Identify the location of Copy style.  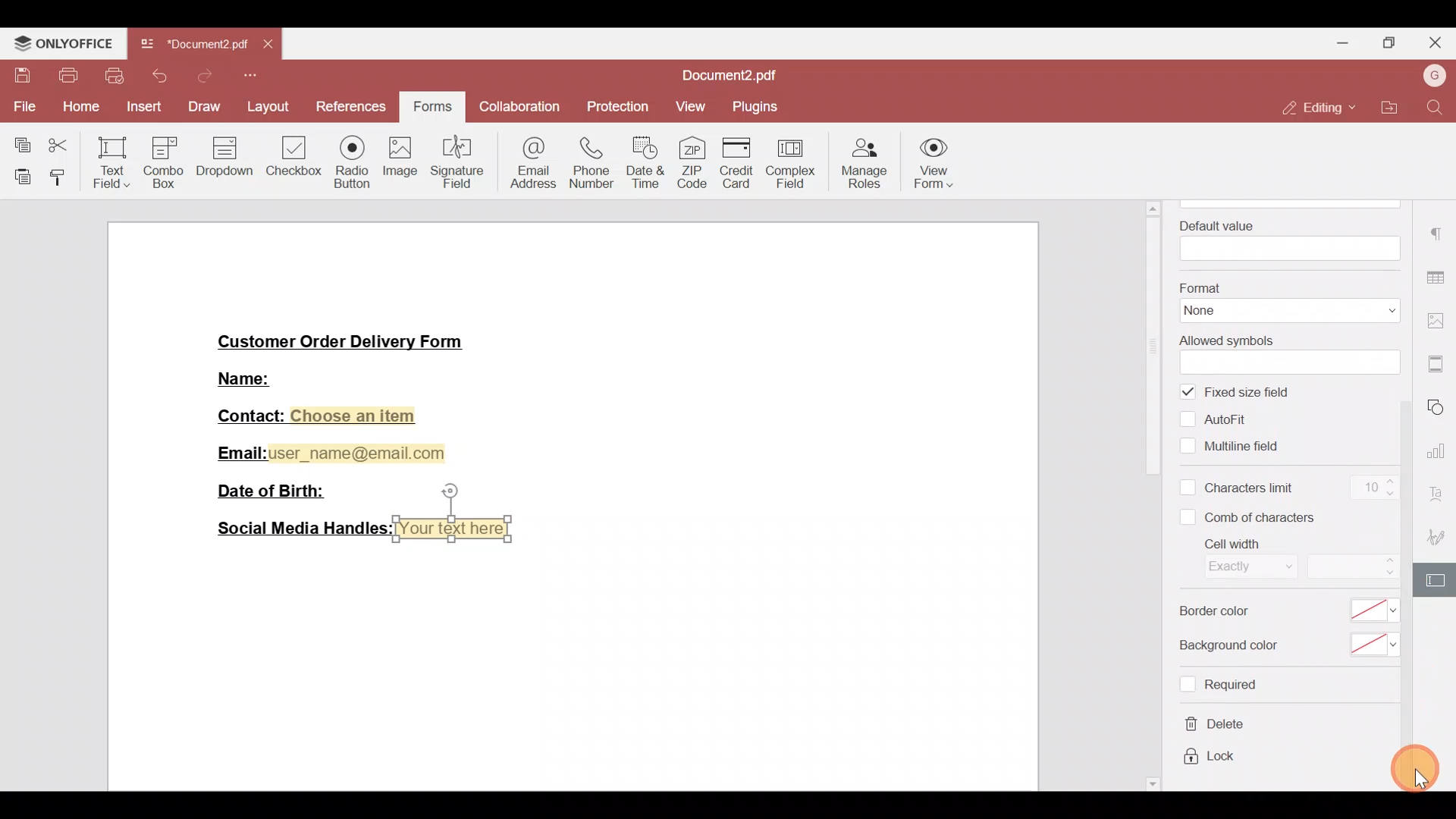
(58, 178).